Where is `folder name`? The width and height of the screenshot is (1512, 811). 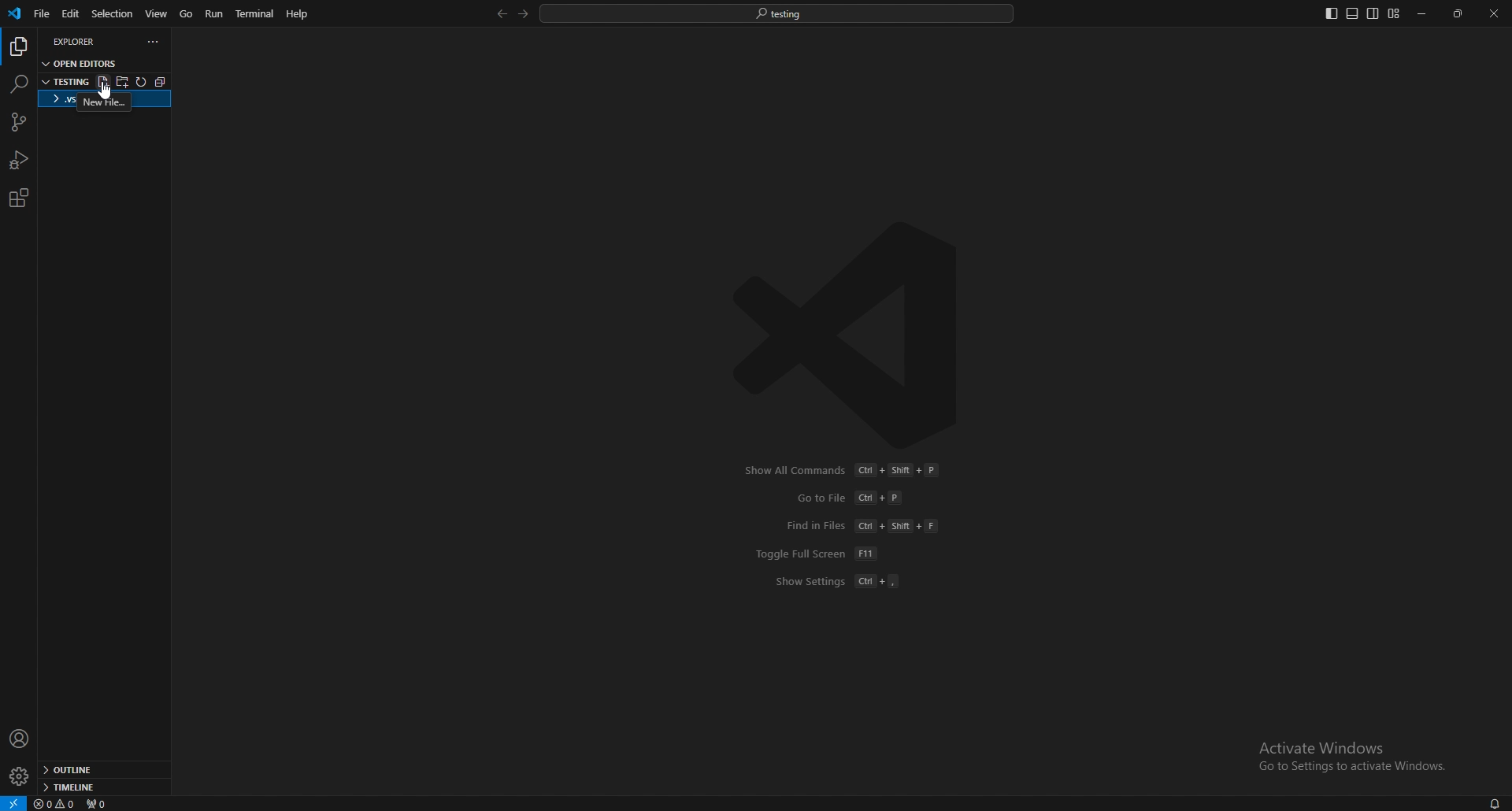 folder name is located at coordinates (65, 80).